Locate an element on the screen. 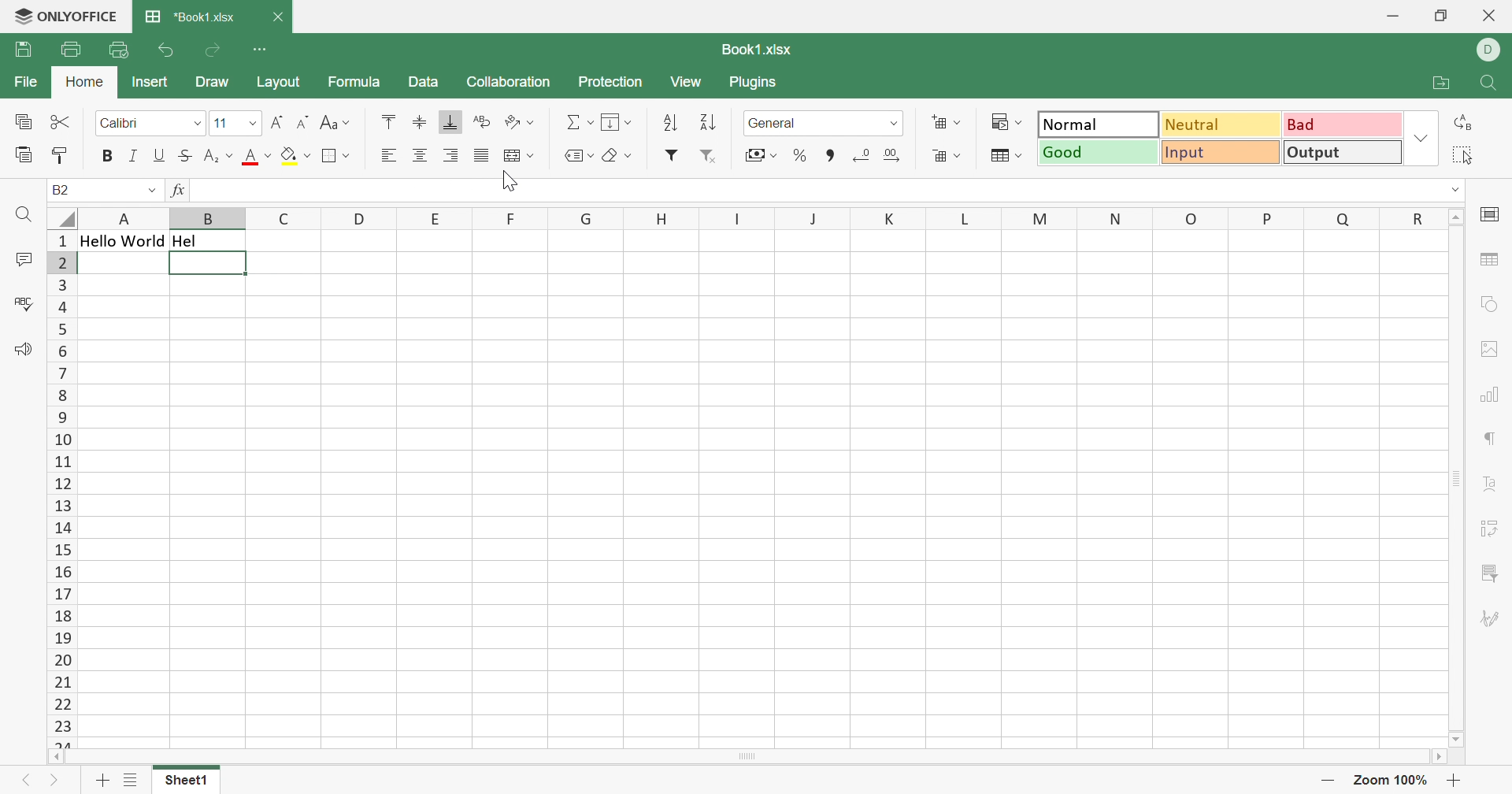 The width and height of the screenshot is (1512, 794). Summation is located at coordinates (580, 123).